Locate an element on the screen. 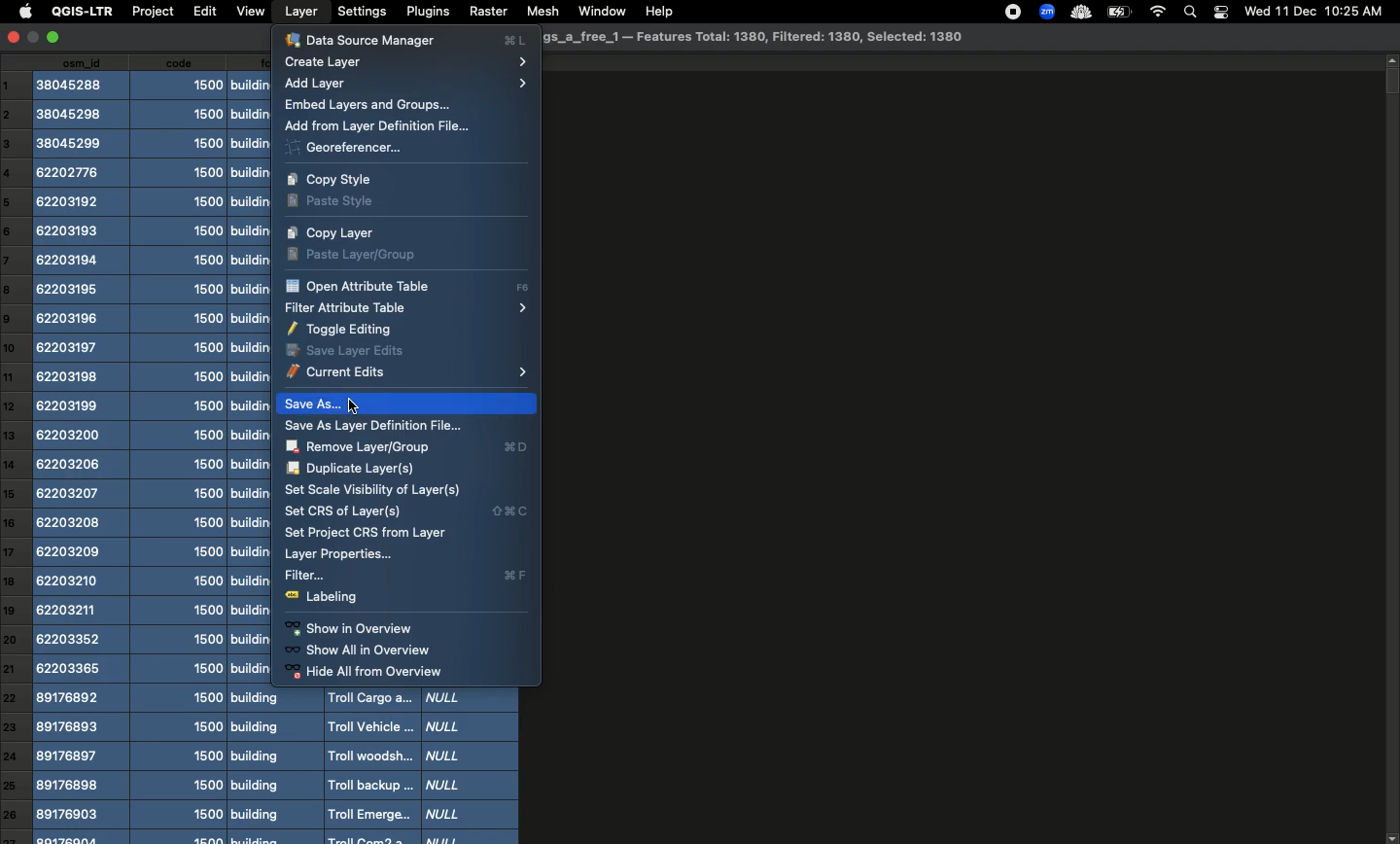 The image size is (1400, 844). Help is located at coordinates (658, 13).